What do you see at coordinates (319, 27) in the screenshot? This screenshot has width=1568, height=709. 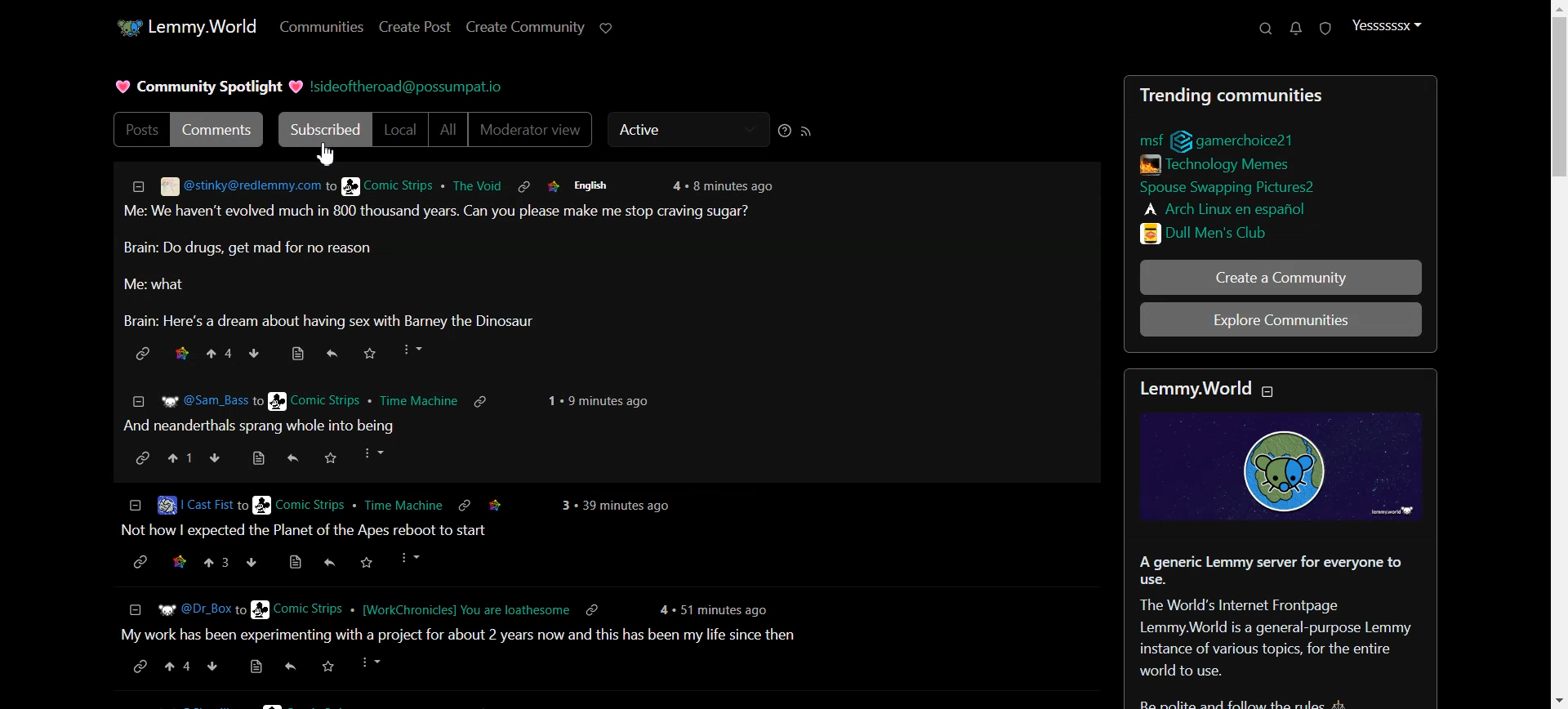 I see `Communities` at bounding box center [319, 27].